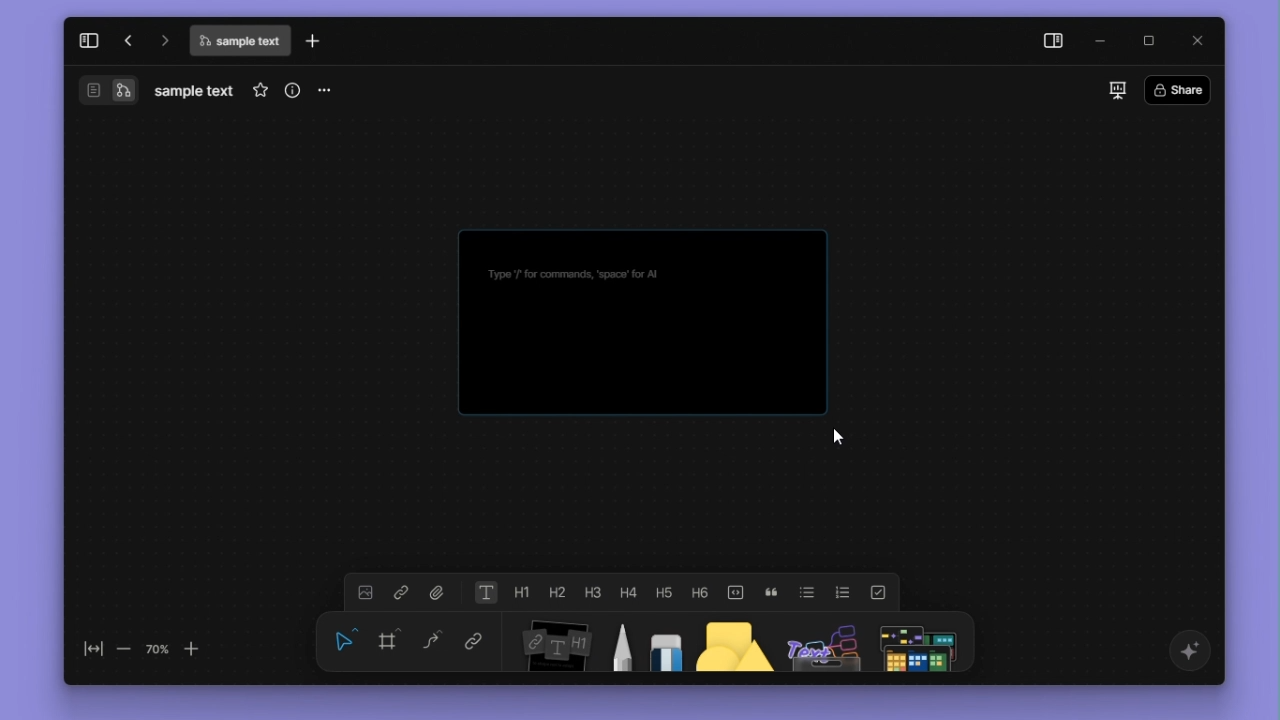 The width and height of the screenshot is (1280, 720). Describe the element at coordinates (432, 644) in the screenshot. I see `Curve C` at that location.